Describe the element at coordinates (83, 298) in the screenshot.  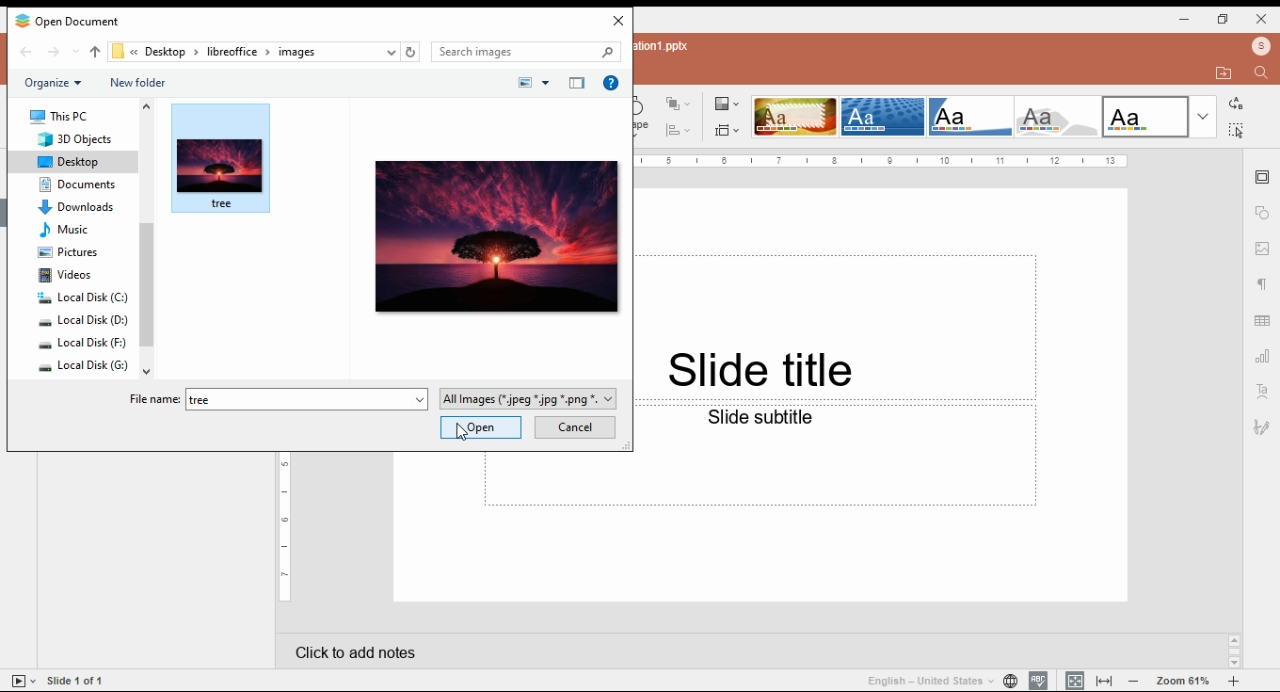
I see `system drive 1` at that location.